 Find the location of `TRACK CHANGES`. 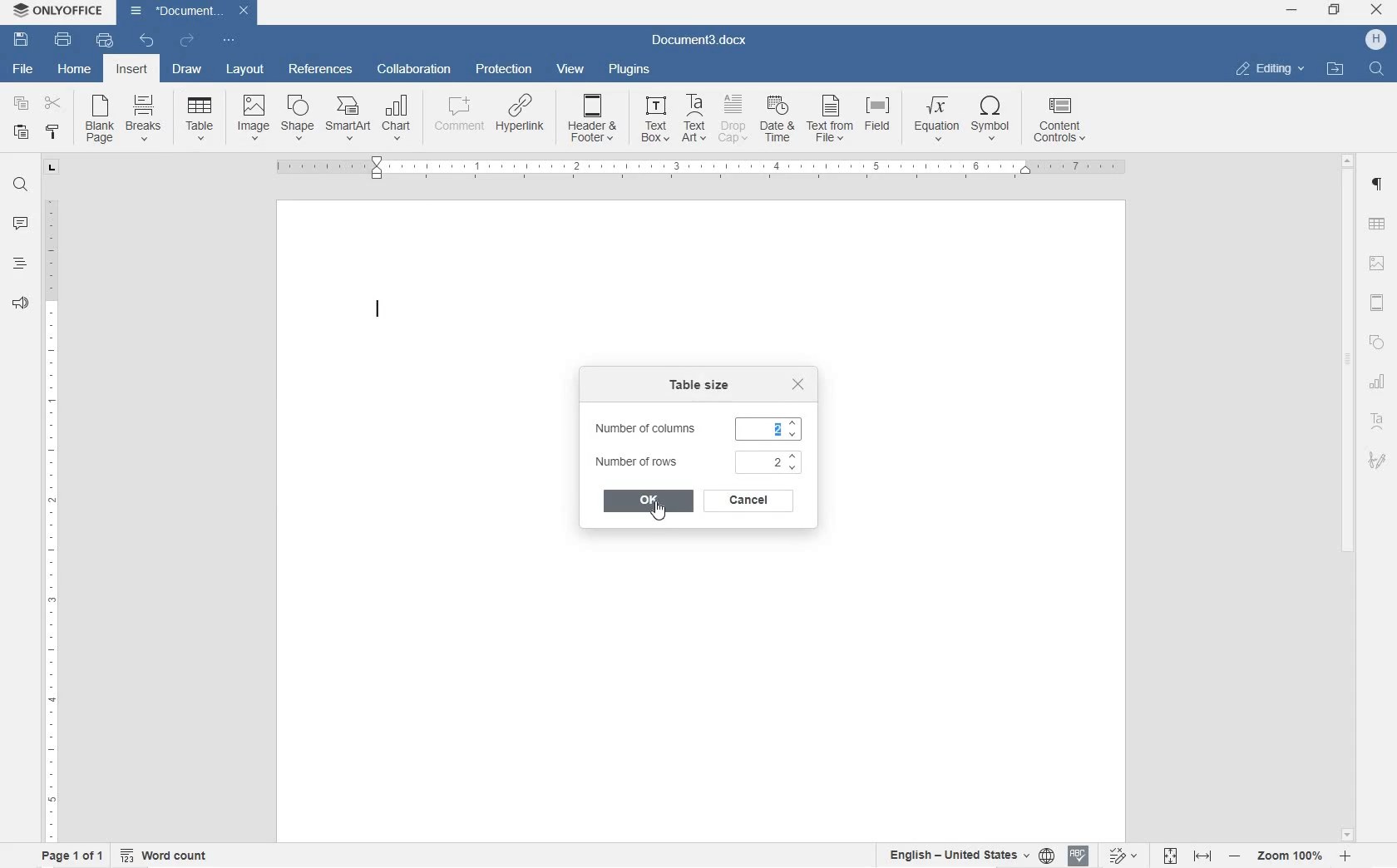

TRACK CHANGES is located at coordinates (1122, 855).